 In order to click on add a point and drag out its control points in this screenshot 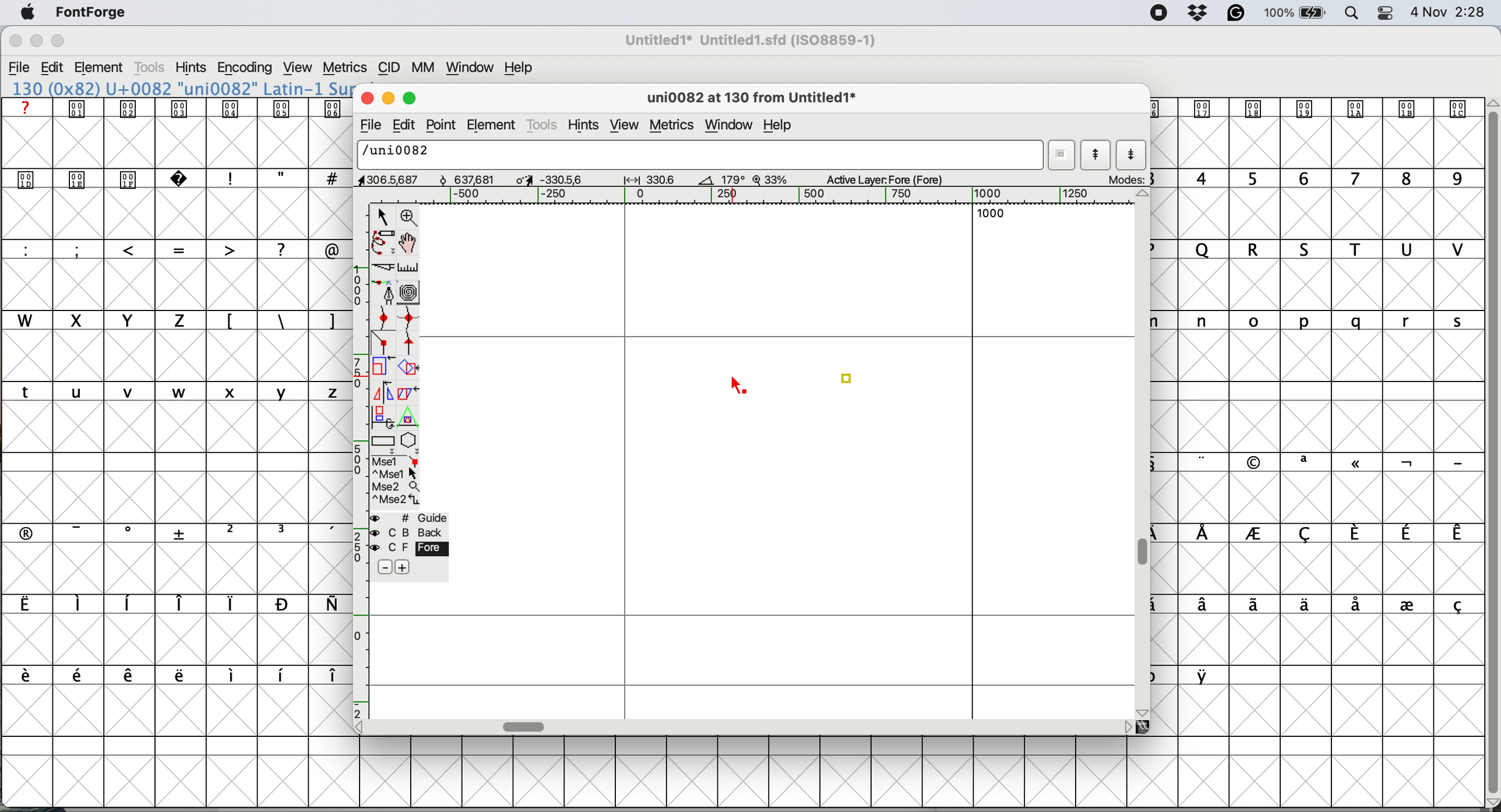, I will do `click(386, 292)`.